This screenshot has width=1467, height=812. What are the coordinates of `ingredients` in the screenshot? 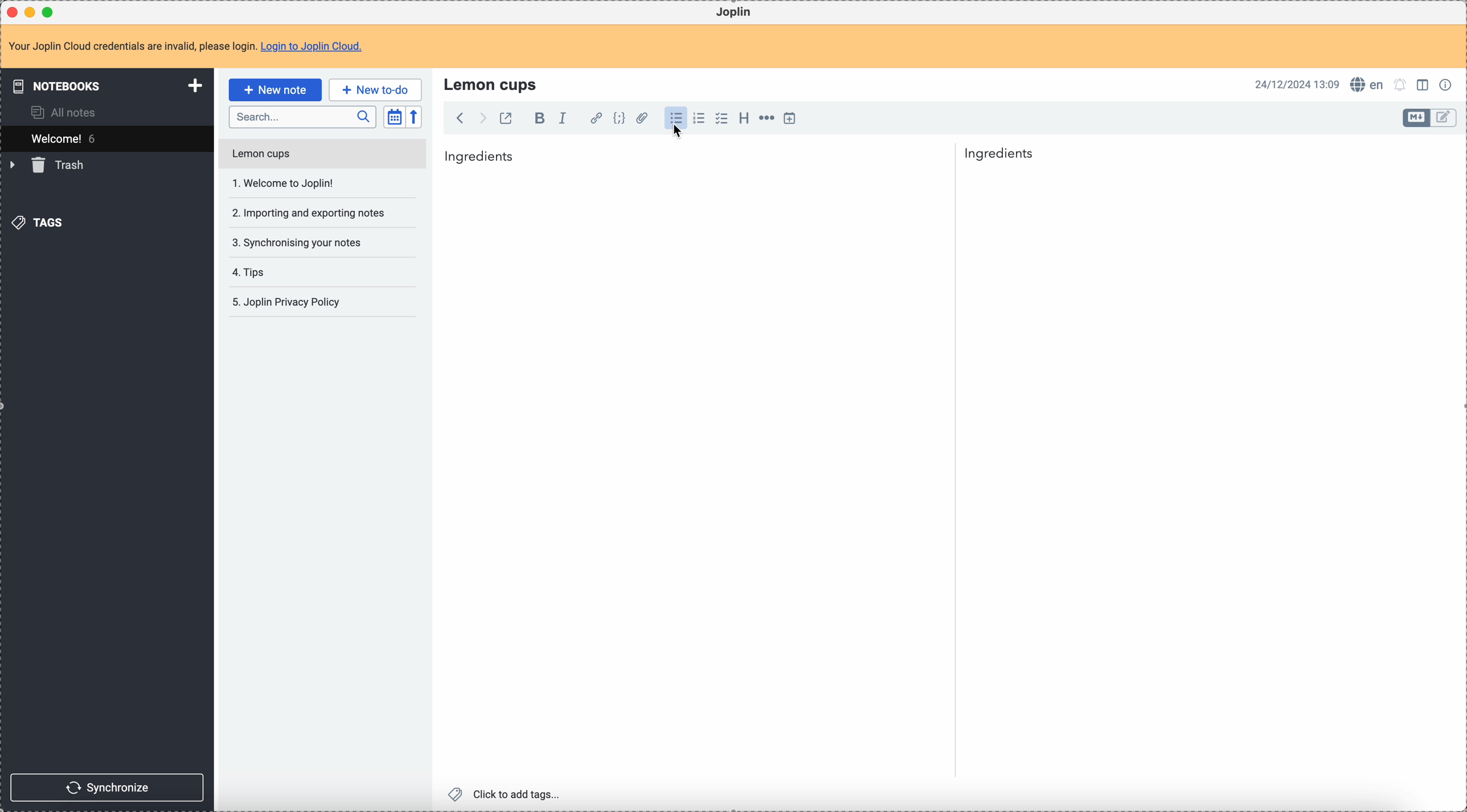 It's located at (480, 155).